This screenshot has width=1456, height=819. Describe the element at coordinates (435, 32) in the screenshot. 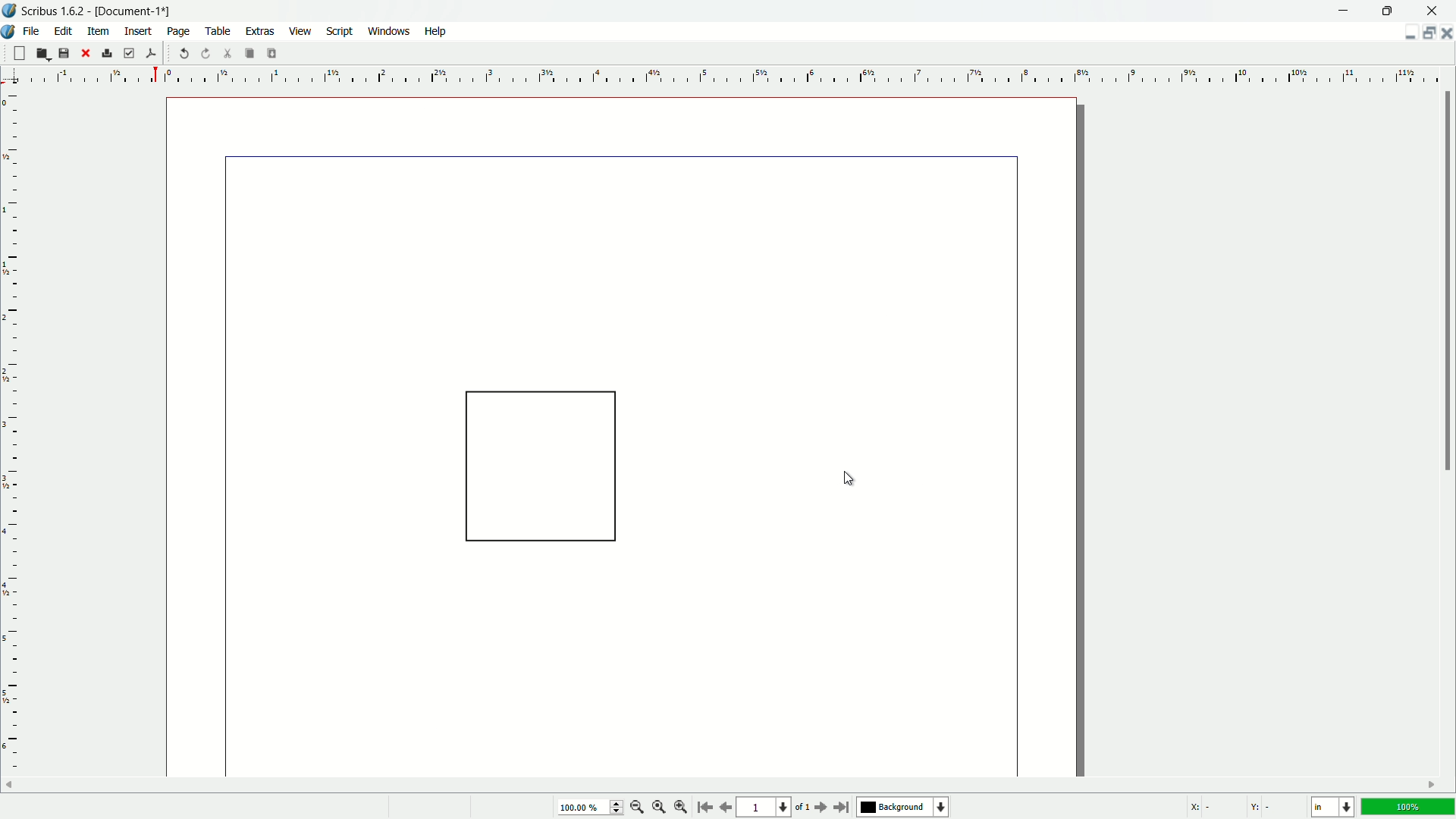

I see `help menu` at that location.